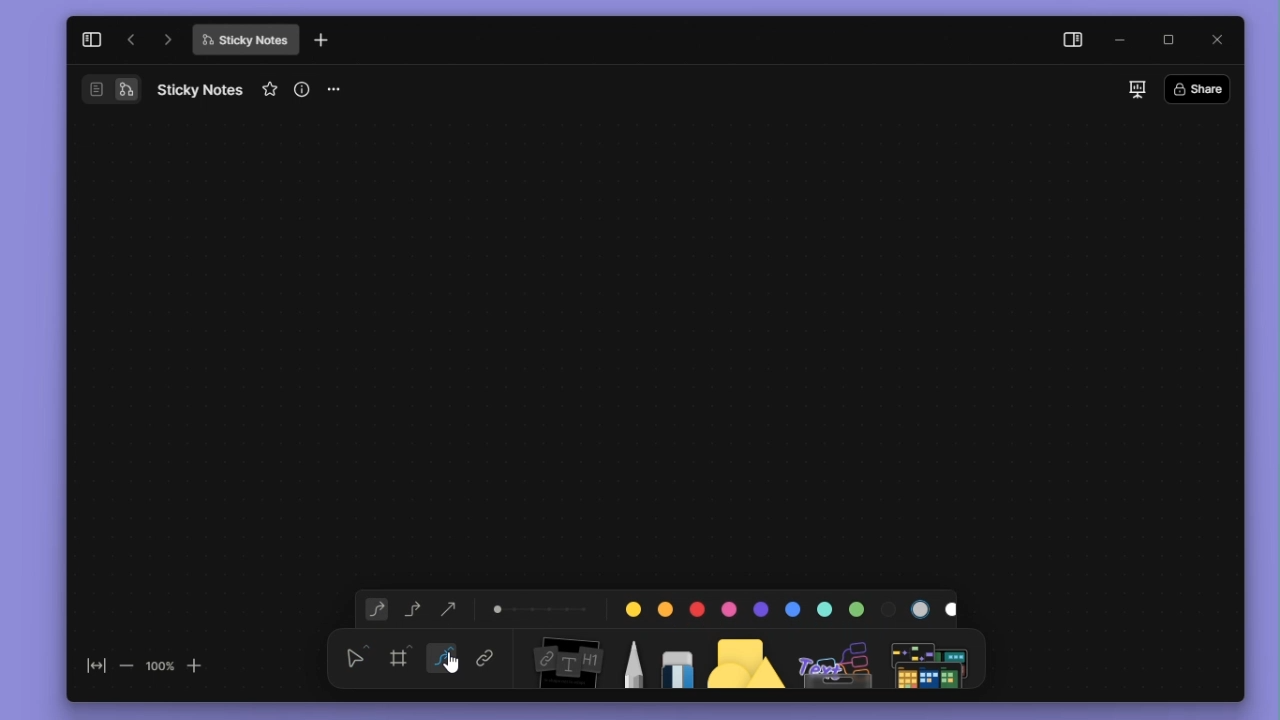 Image resolution: width=1280 pixels, height=720 pixels. Describe the element at coordinates (403, 656) in the screenshot. I see `frame` at that location.